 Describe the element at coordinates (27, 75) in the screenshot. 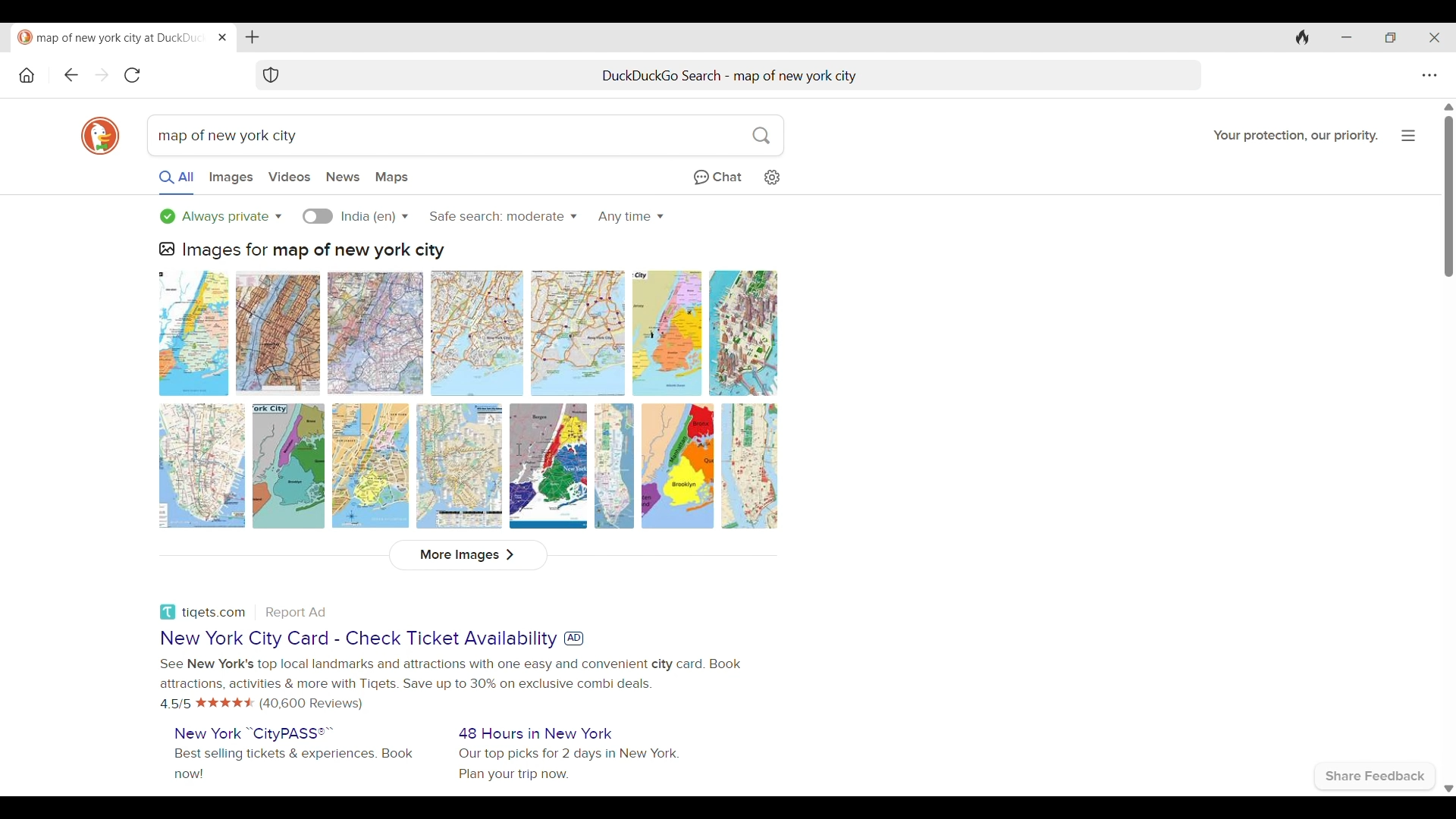

I see `Home` at that location.